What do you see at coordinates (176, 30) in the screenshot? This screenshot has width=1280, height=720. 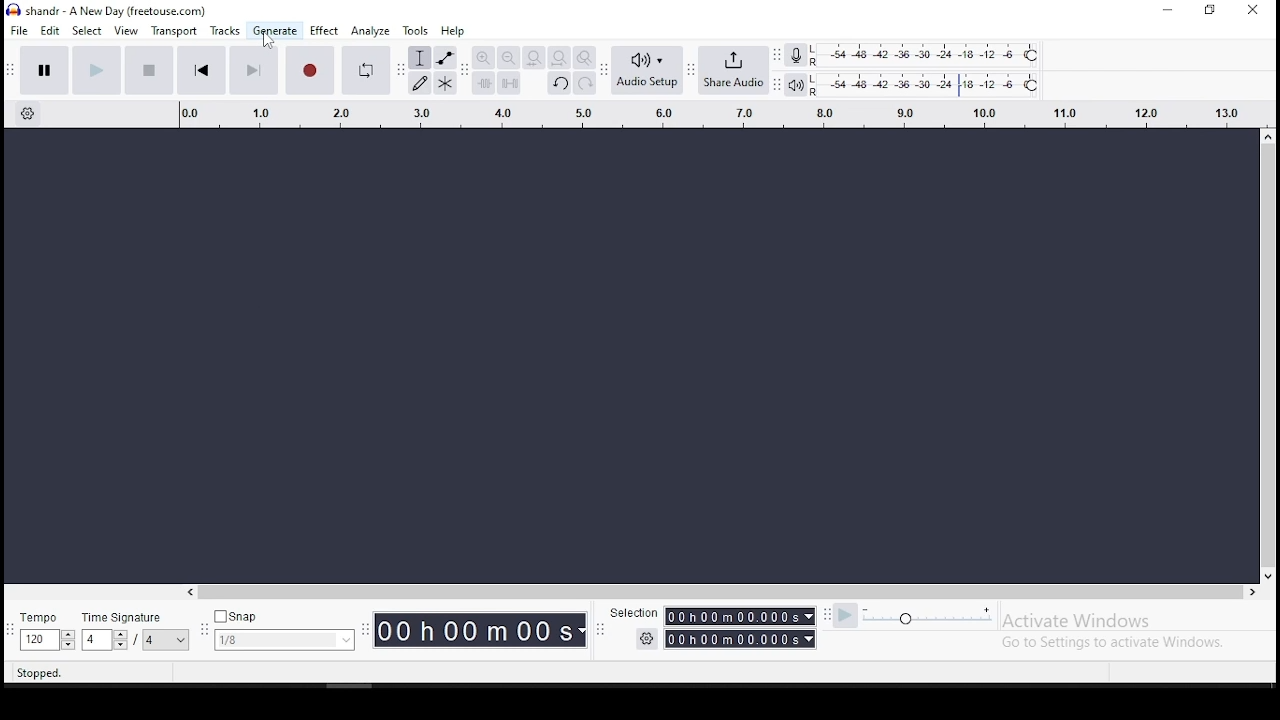 I see `transport` at bounding box center [176, 30].